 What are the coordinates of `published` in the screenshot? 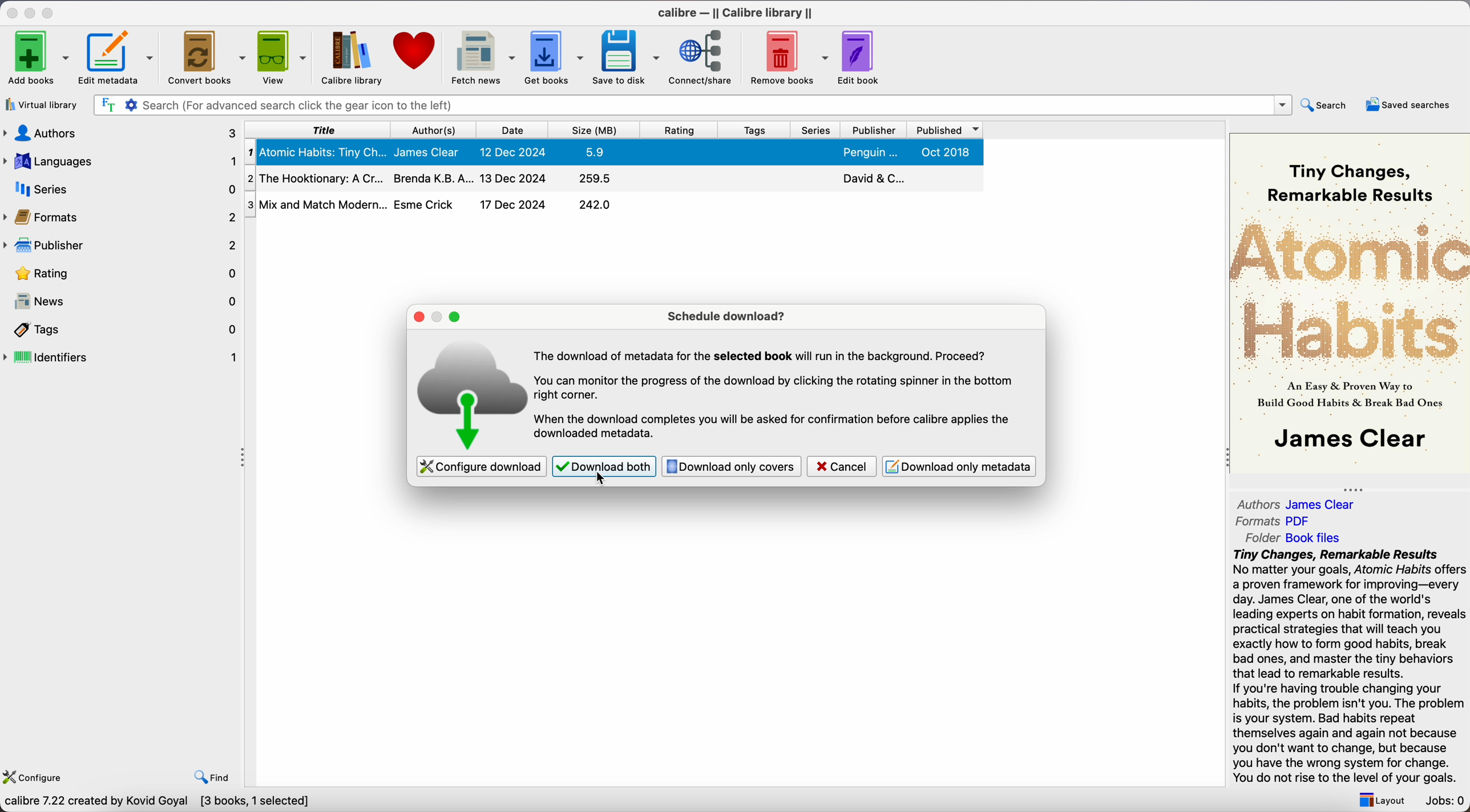 It's located at (943, 130).